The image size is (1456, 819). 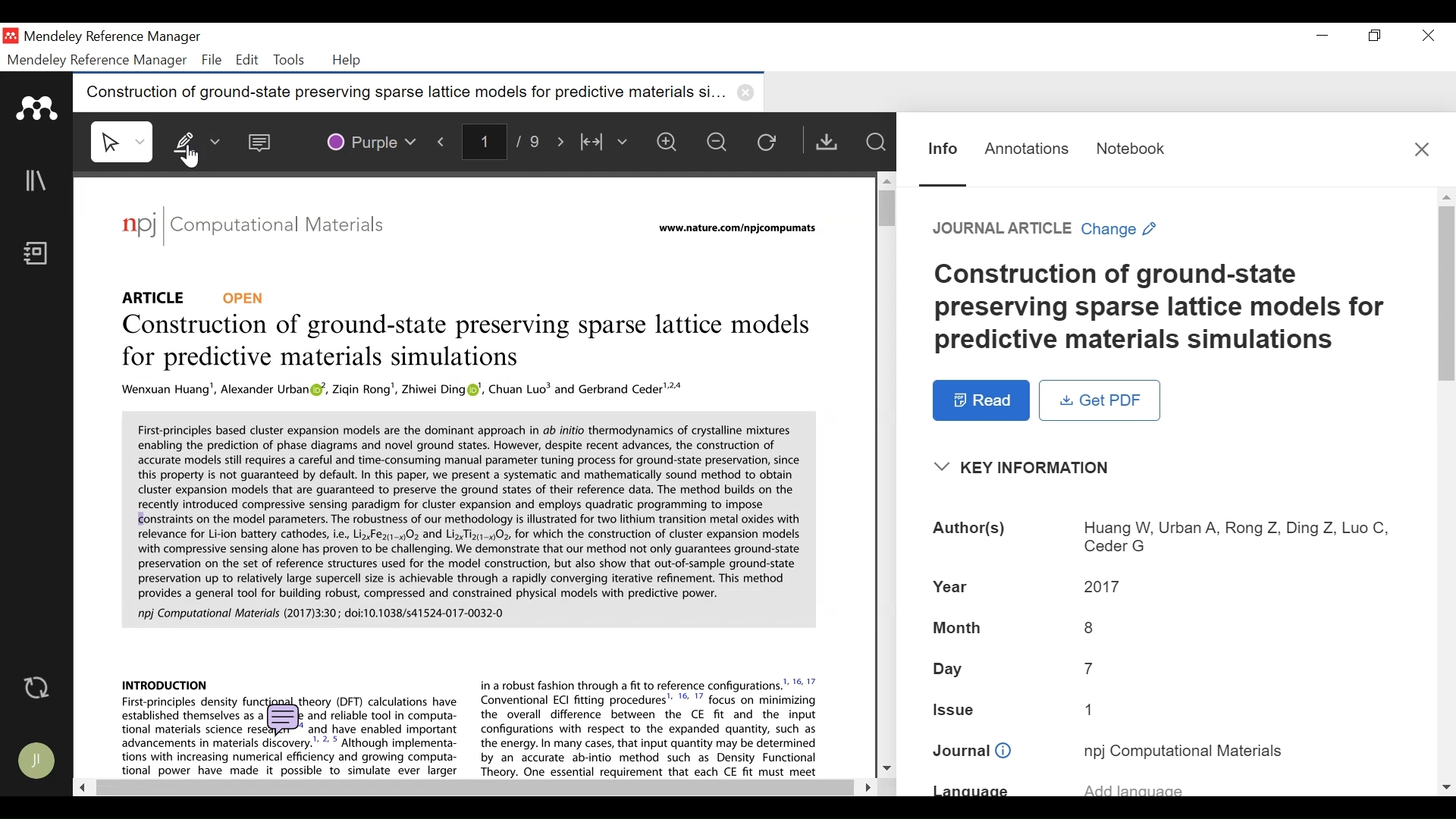 What do you see at coordinates (165, 683) in the screenshot?
I see `PDF Context` at bounding box center [165, 683].